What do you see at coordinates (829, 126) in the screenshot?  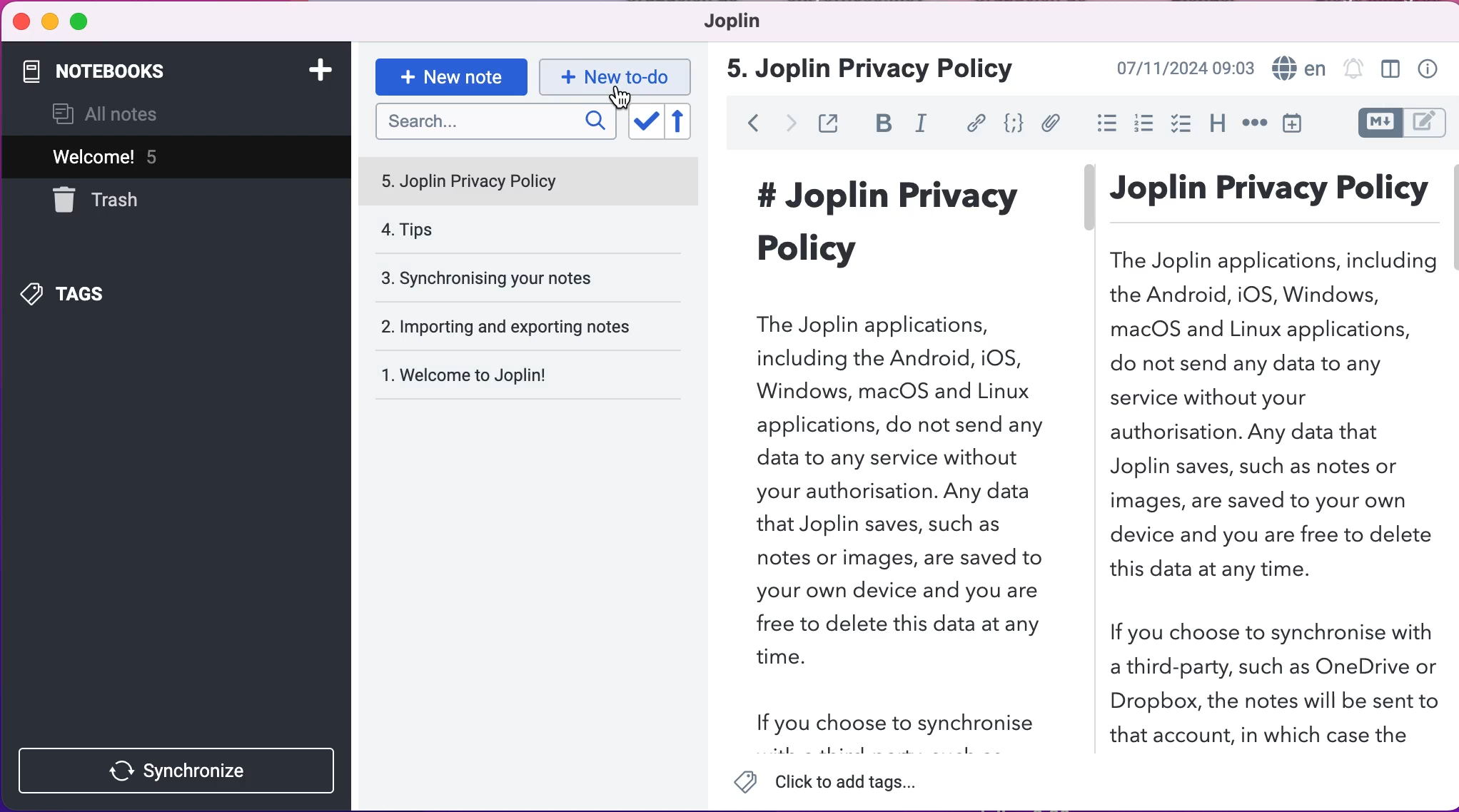 I see `toggle external editing` at bounding box center [829, 126].